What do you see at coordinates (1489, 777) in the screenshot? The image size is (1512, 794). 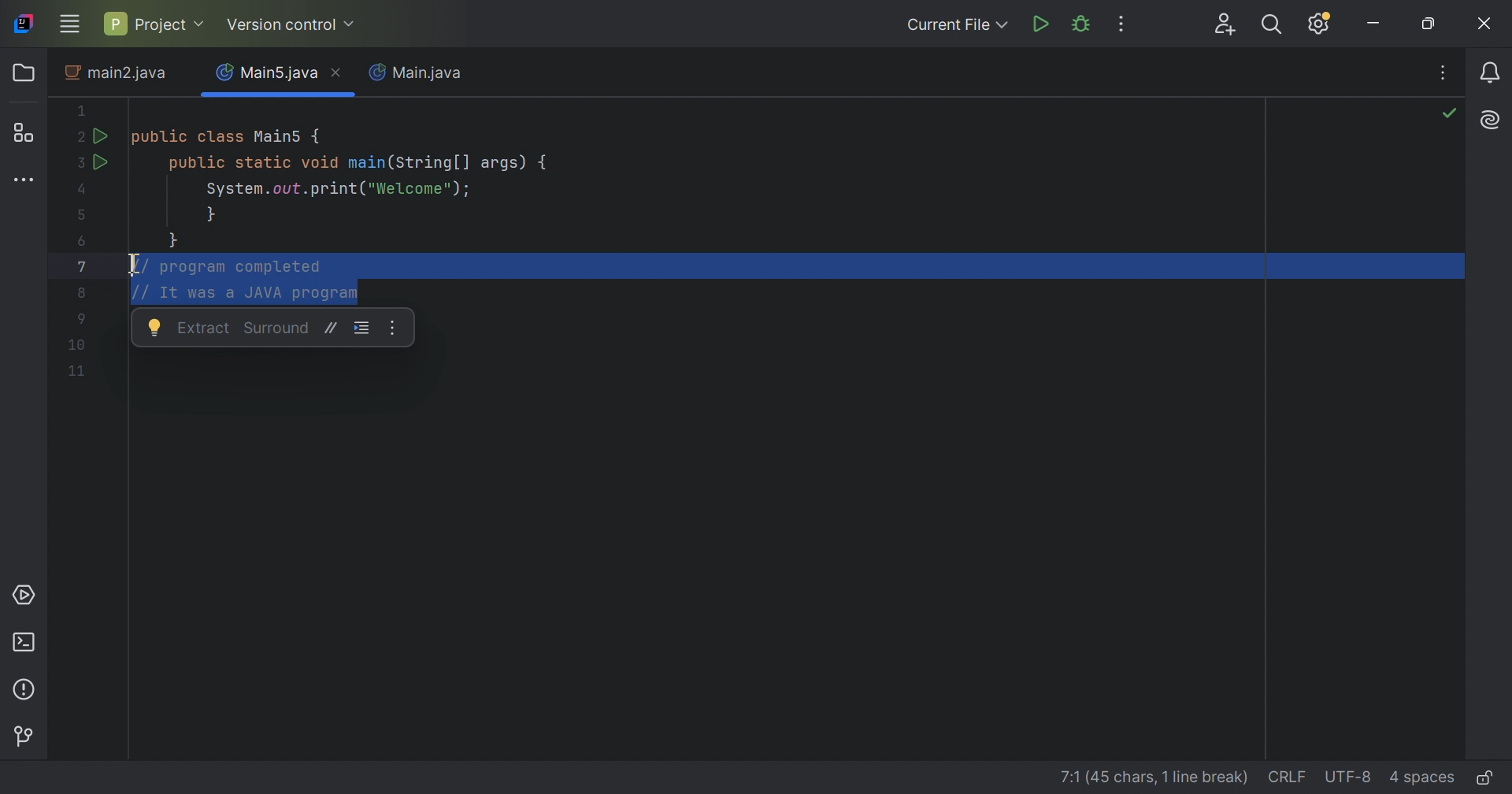 I see `Edit or read-only` at bounding box center [1489, 777].